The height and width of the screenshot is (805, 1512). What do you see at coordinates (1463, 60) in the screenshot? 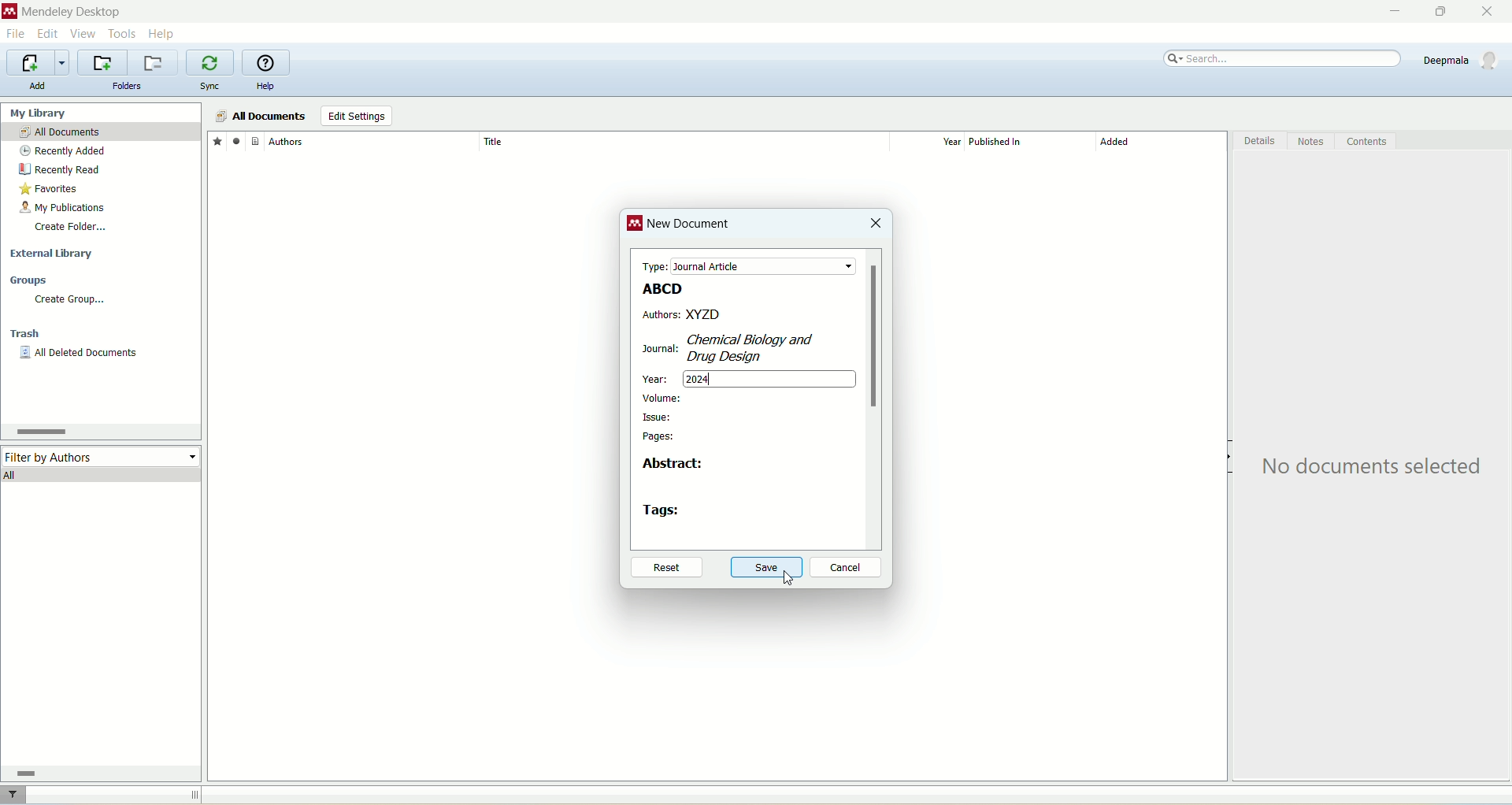
I see `account` at bounding box center [1463, 60].